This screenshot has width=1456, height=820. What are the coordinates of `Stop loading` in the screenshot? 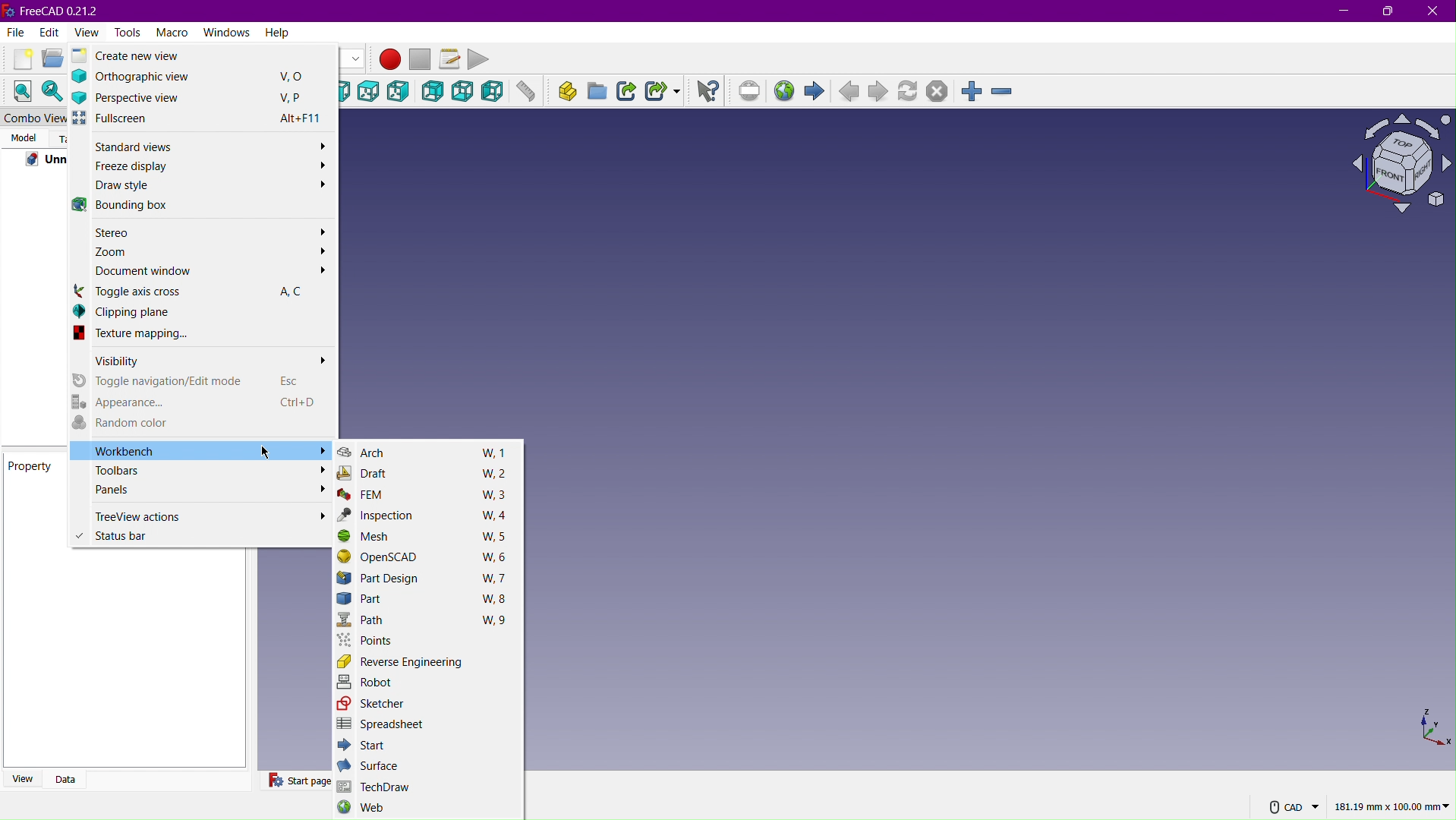 It's located at (940, 92).